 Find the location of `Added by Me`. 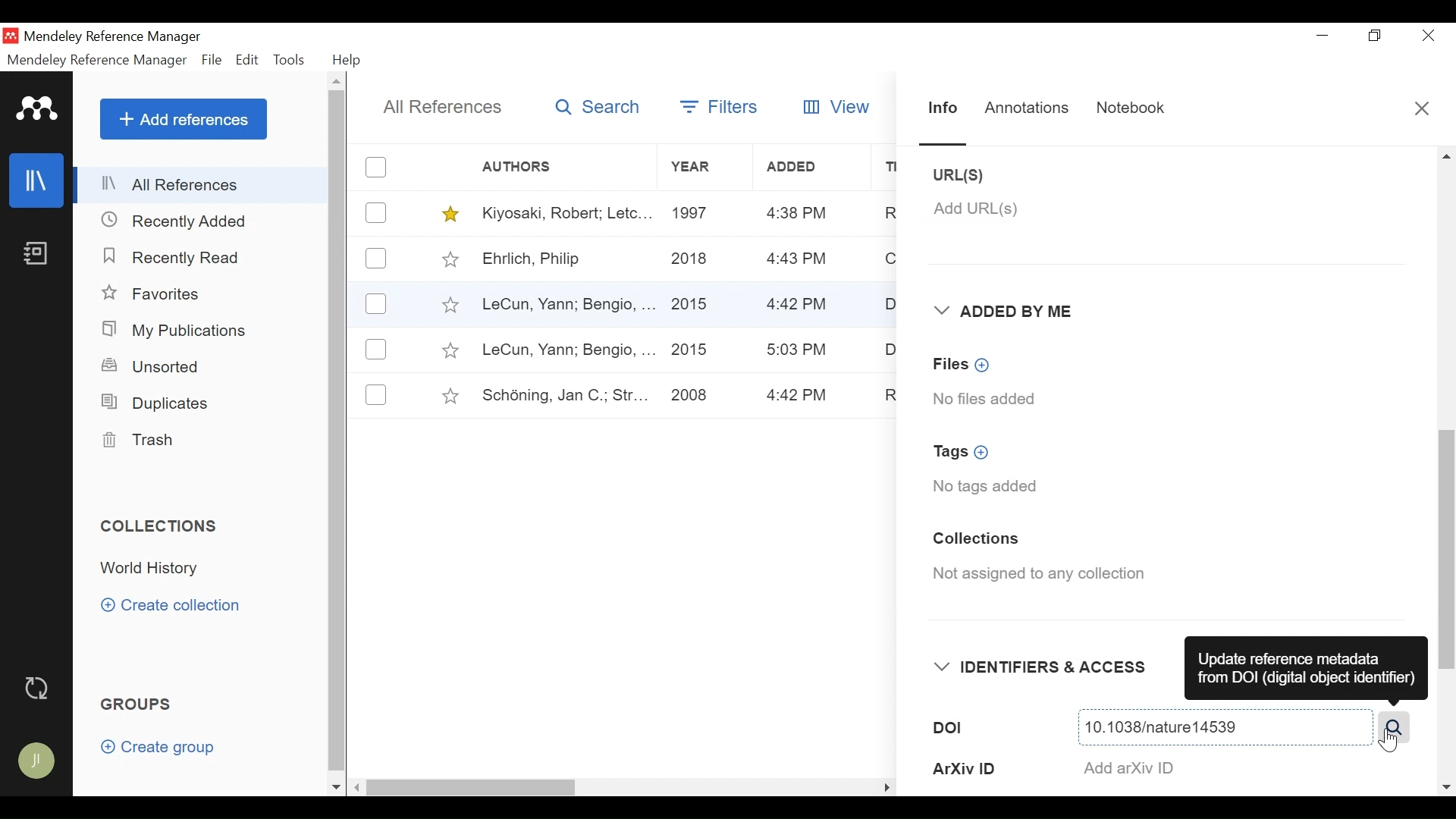

Added by Me is located at coordinates (1009, 312).